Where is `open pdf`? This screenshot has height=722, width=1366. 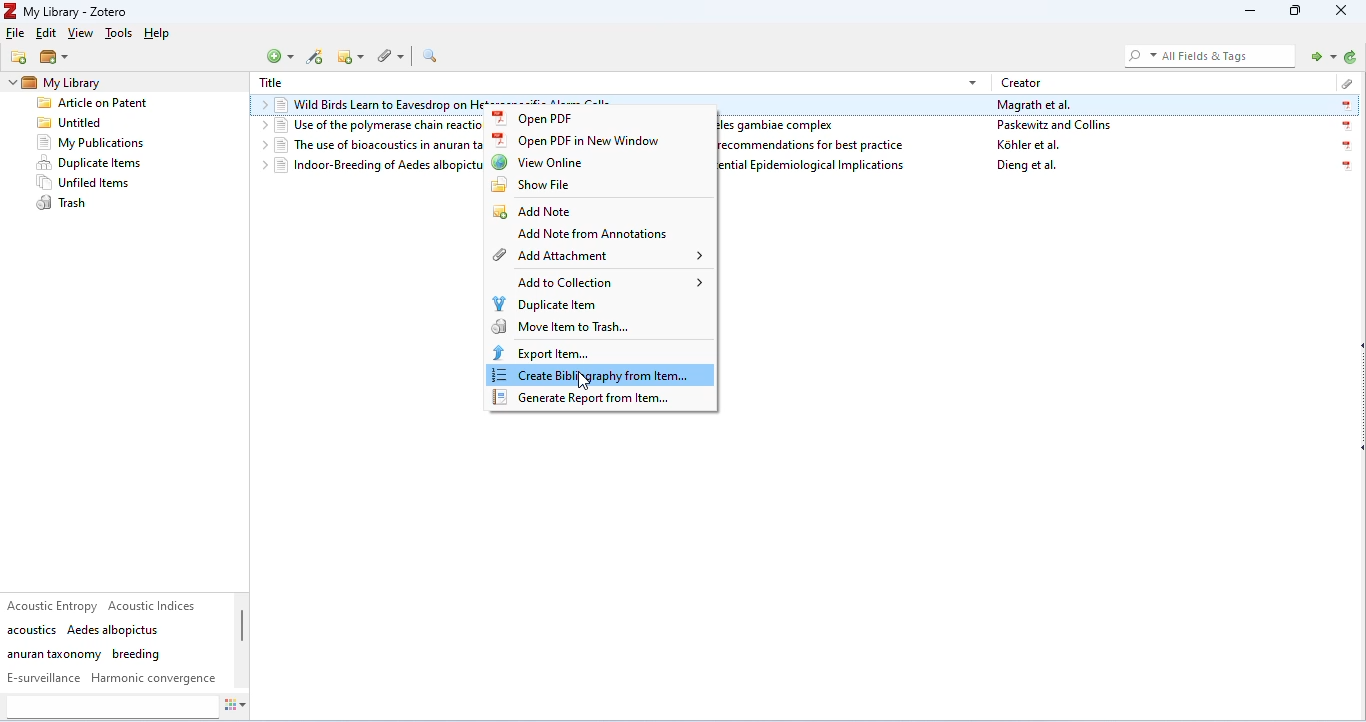
open pdf is located at coordinates (540, 118).